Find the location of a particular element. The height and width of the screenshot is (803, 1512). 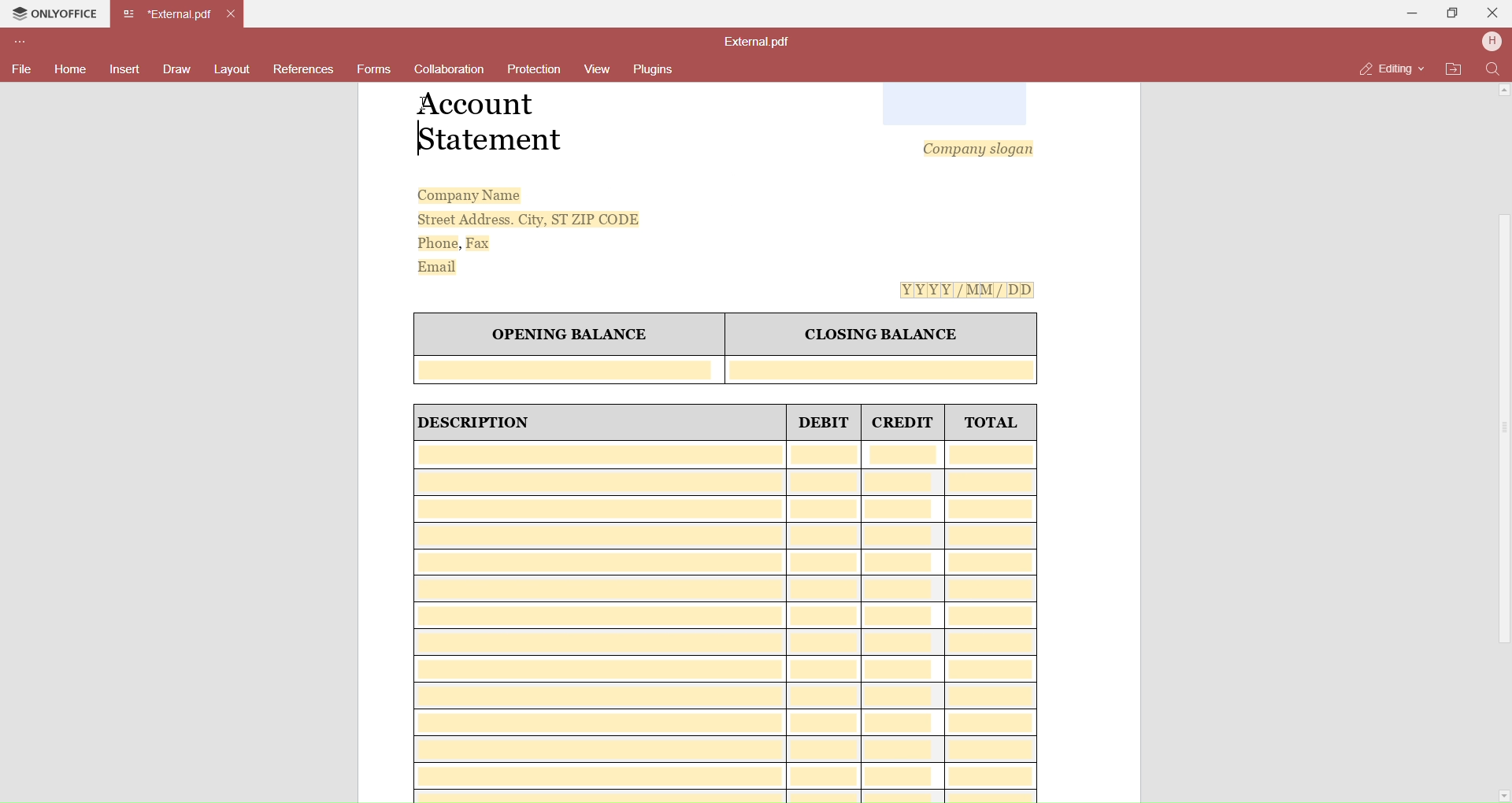

Forms is located at coordinates (374, 68).